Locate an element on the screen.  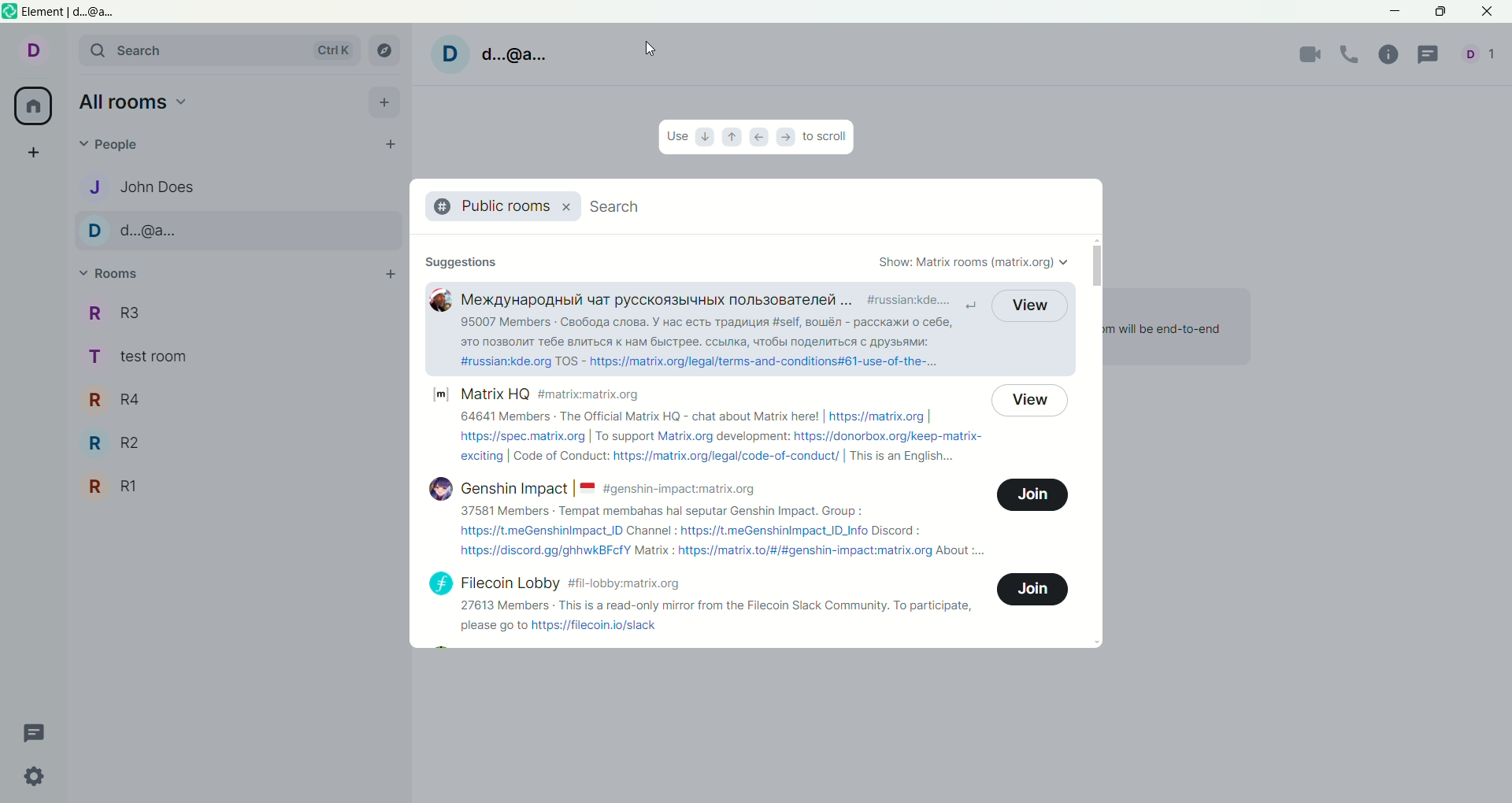
threads is located at coordinates (36, 734).